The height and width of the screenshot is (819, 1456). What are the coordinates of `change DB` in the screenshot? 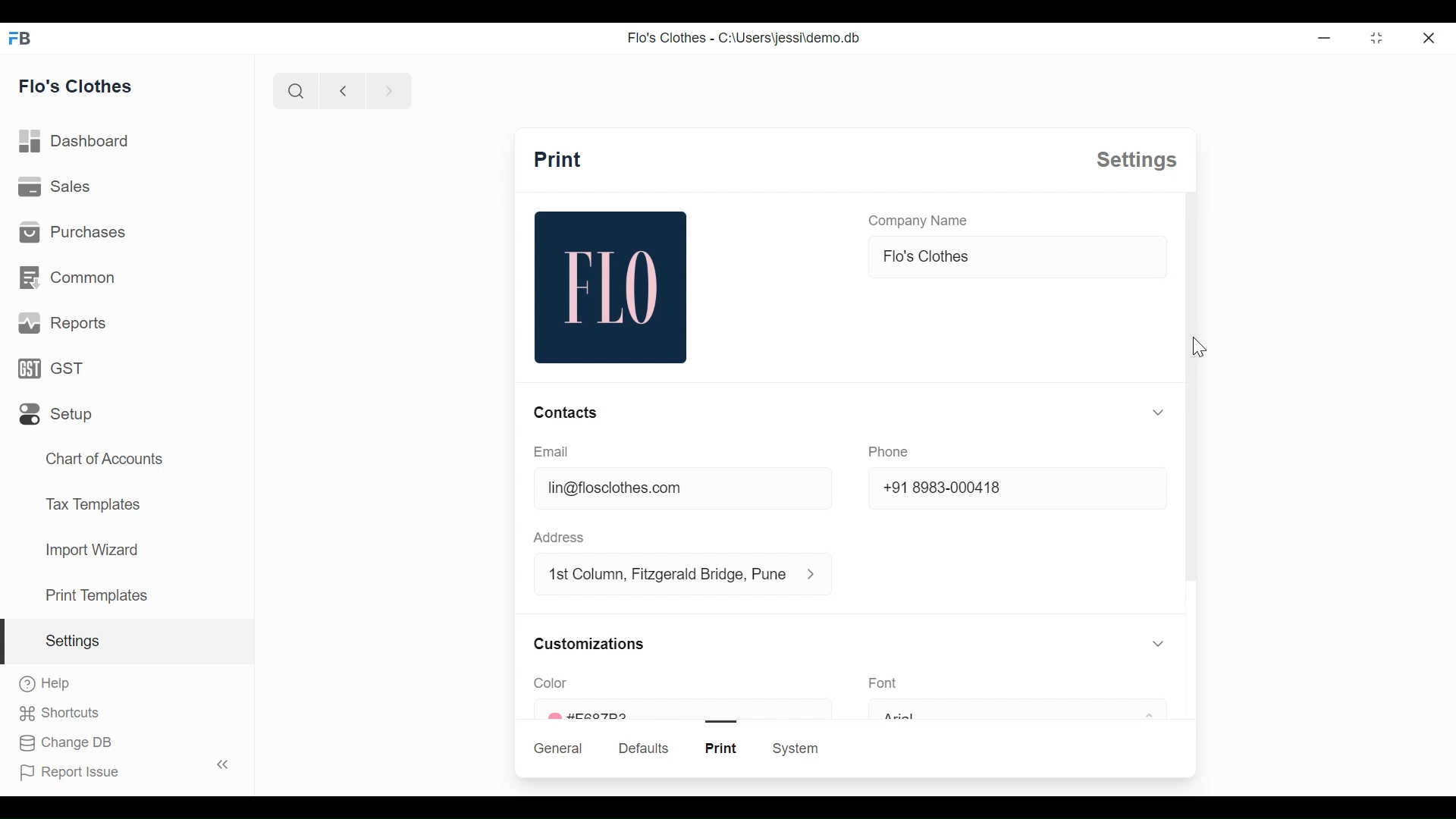 It's located at (64, 743).